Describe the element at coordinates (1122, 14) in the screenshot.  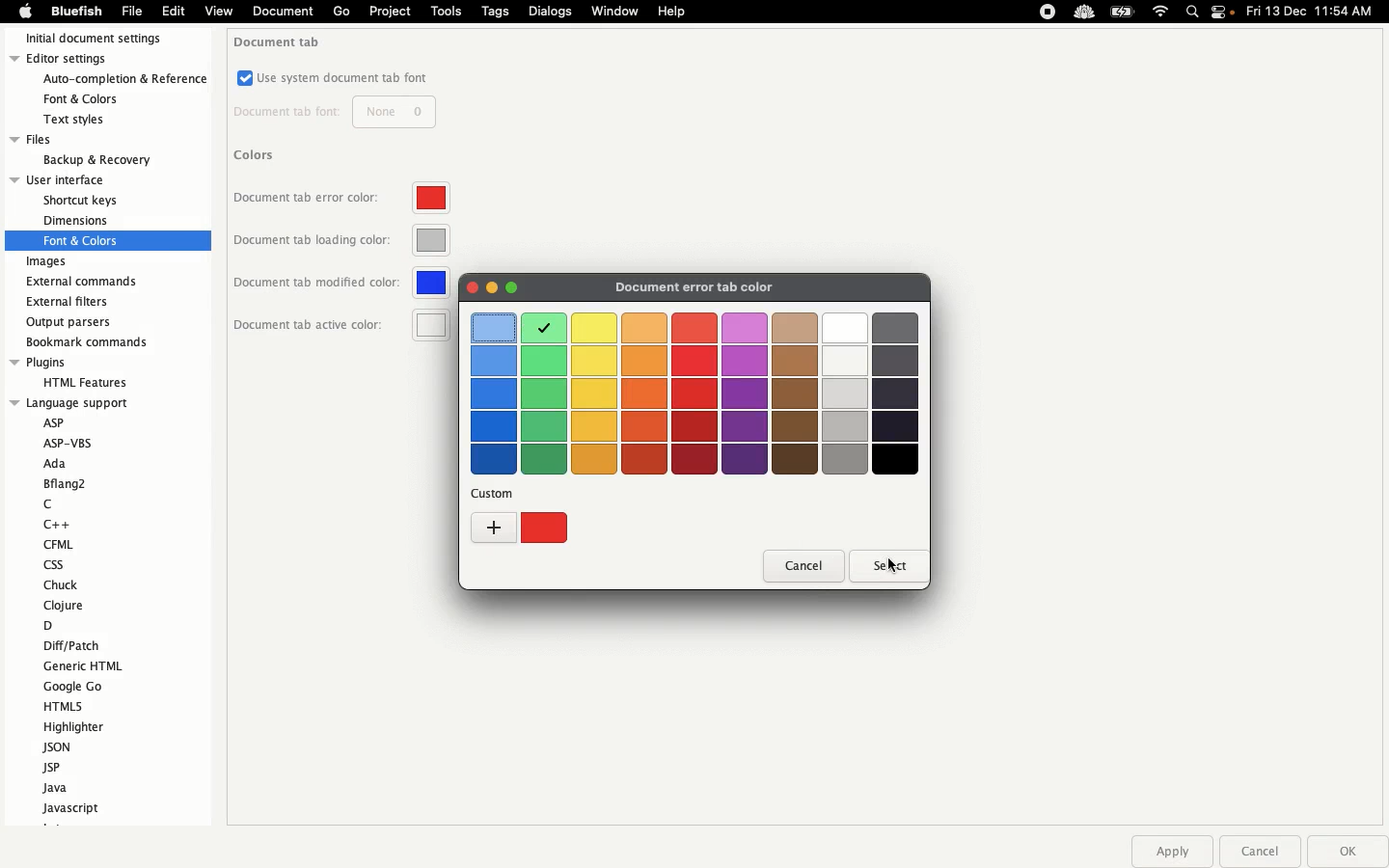
I see `Charge` at that location.